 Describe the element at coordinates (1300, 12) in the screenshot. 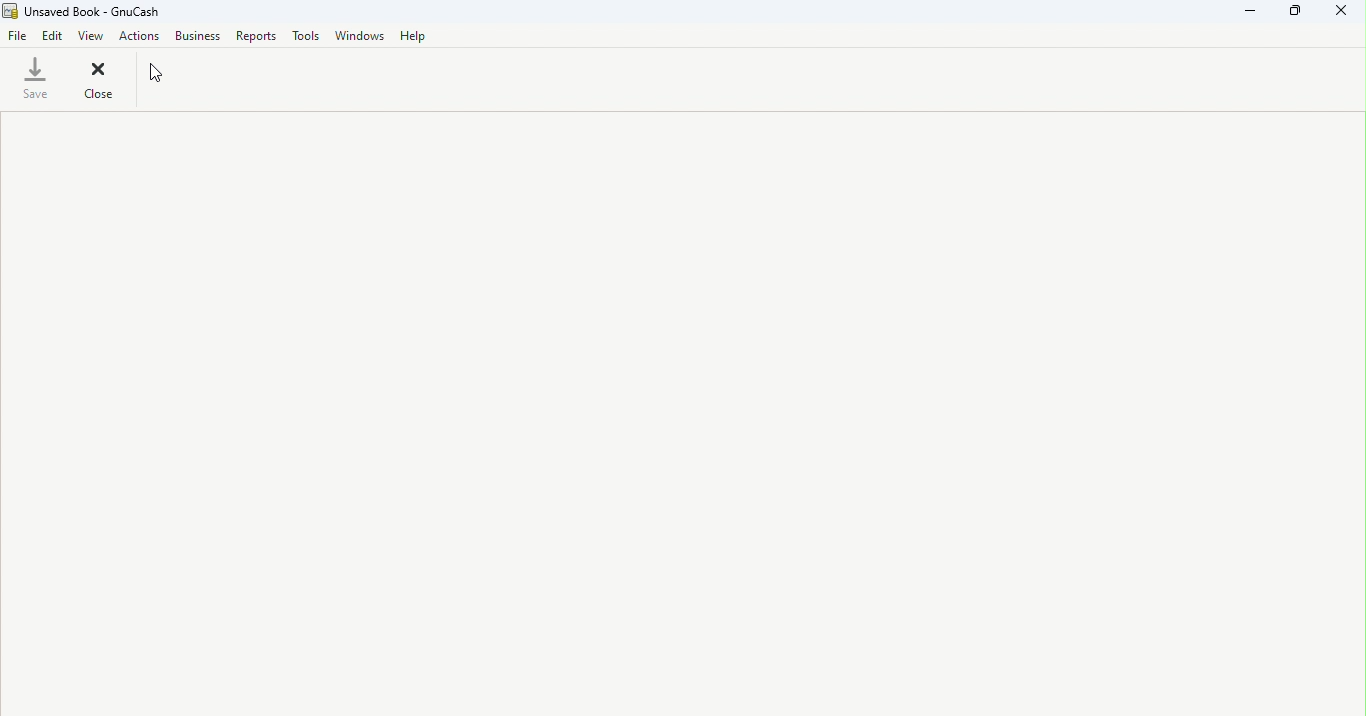

I see `Maximize` at that location.